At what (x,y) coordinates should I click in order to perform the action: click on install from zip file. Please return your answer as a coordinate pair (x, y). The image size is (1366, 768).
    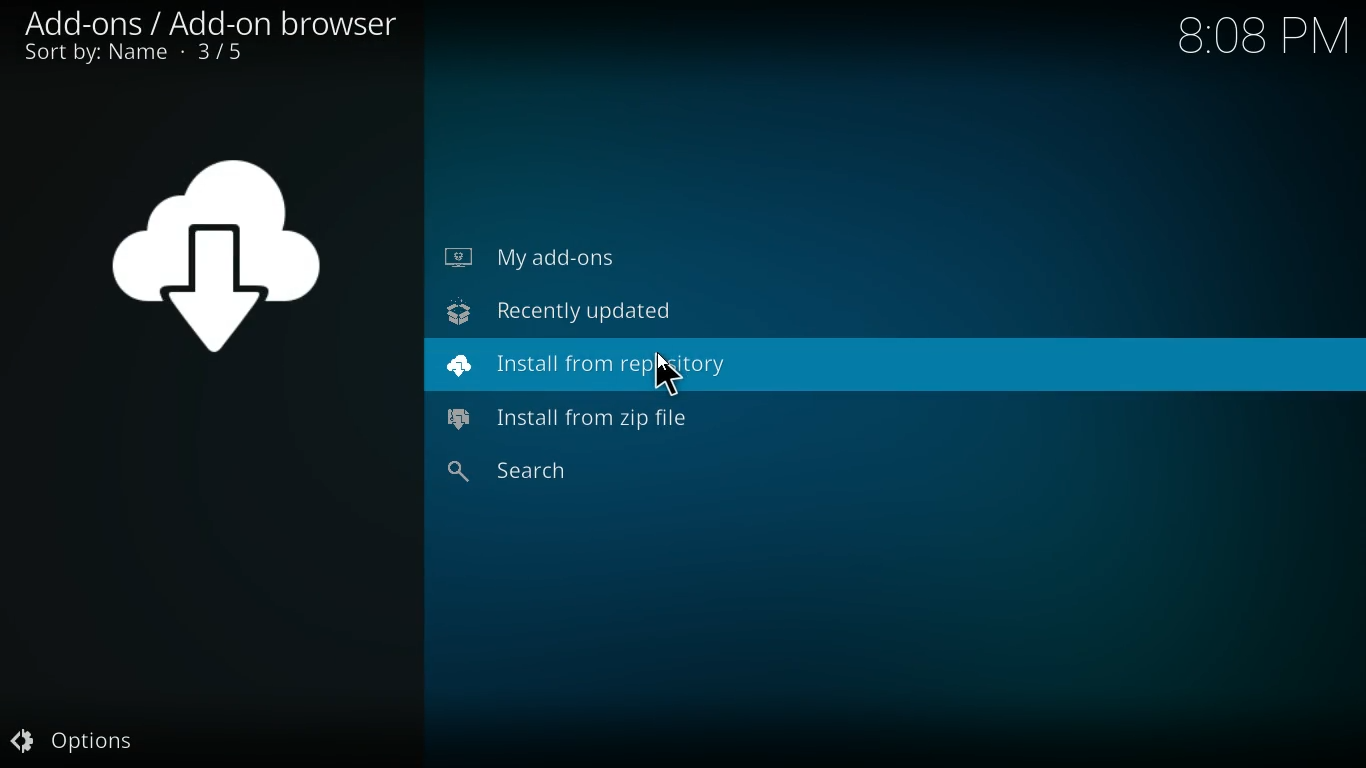
    Looking at the image, I should click on (585, 423).